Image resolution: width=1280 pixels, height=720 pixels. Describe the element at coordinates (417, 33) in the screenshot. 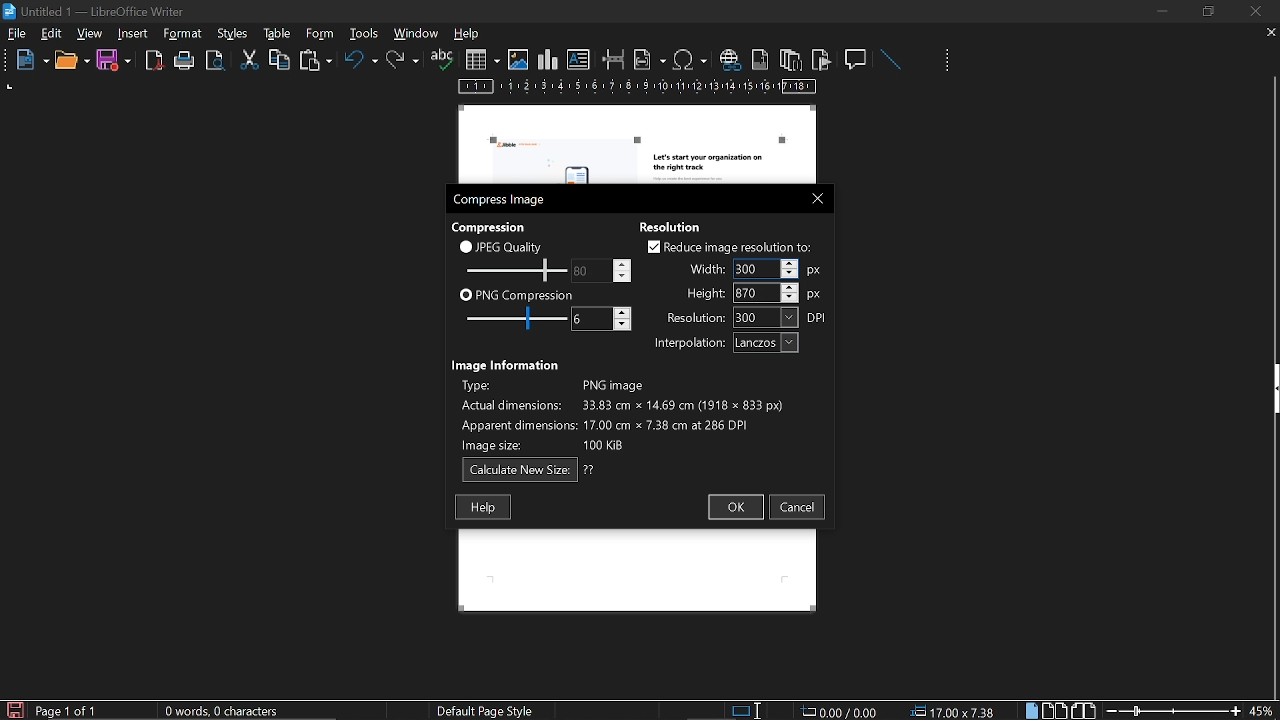

I see `window` at that location.